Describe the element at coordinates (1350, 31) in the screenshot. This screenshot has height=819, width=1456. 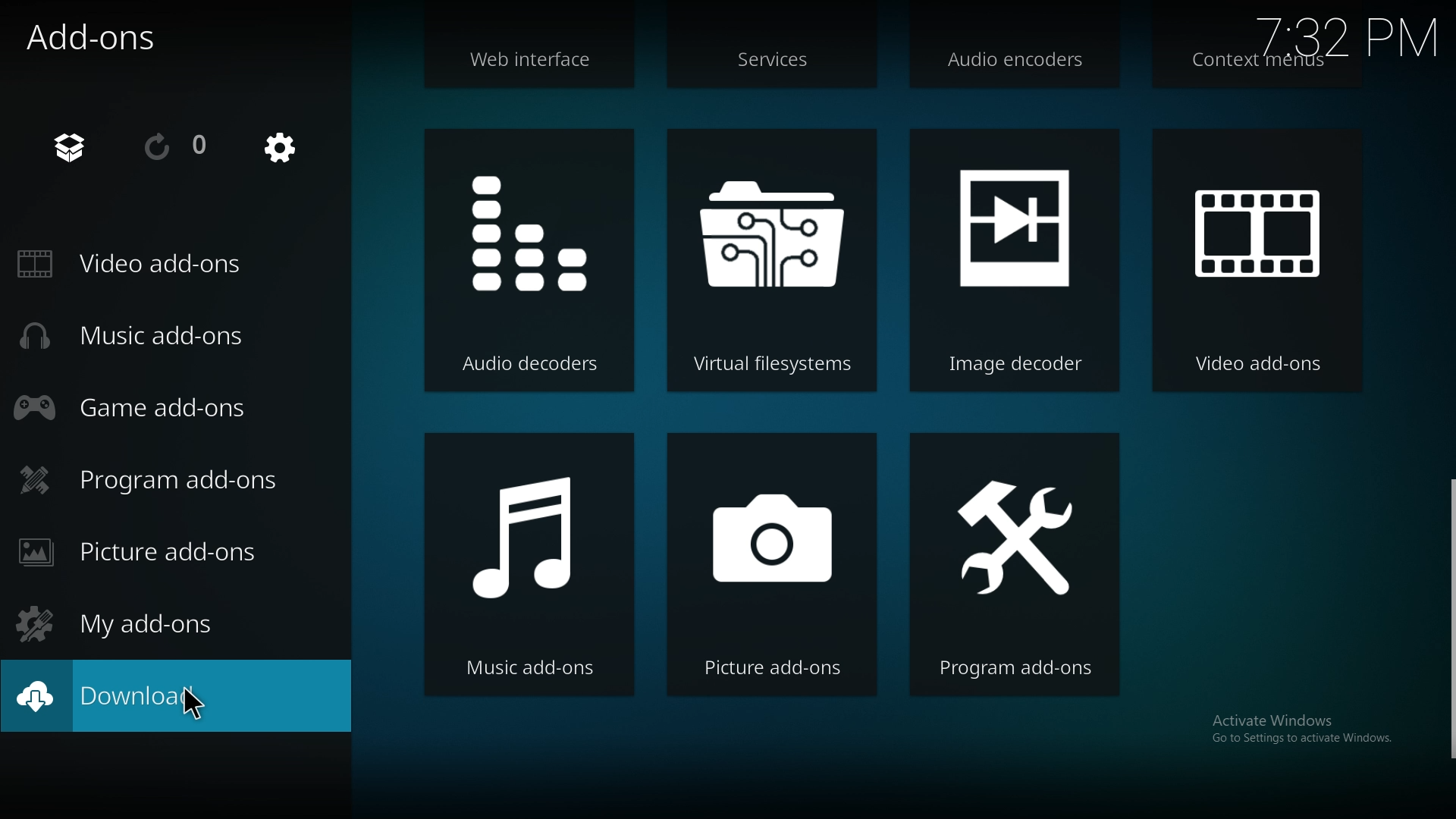
I see `Date` at that location.